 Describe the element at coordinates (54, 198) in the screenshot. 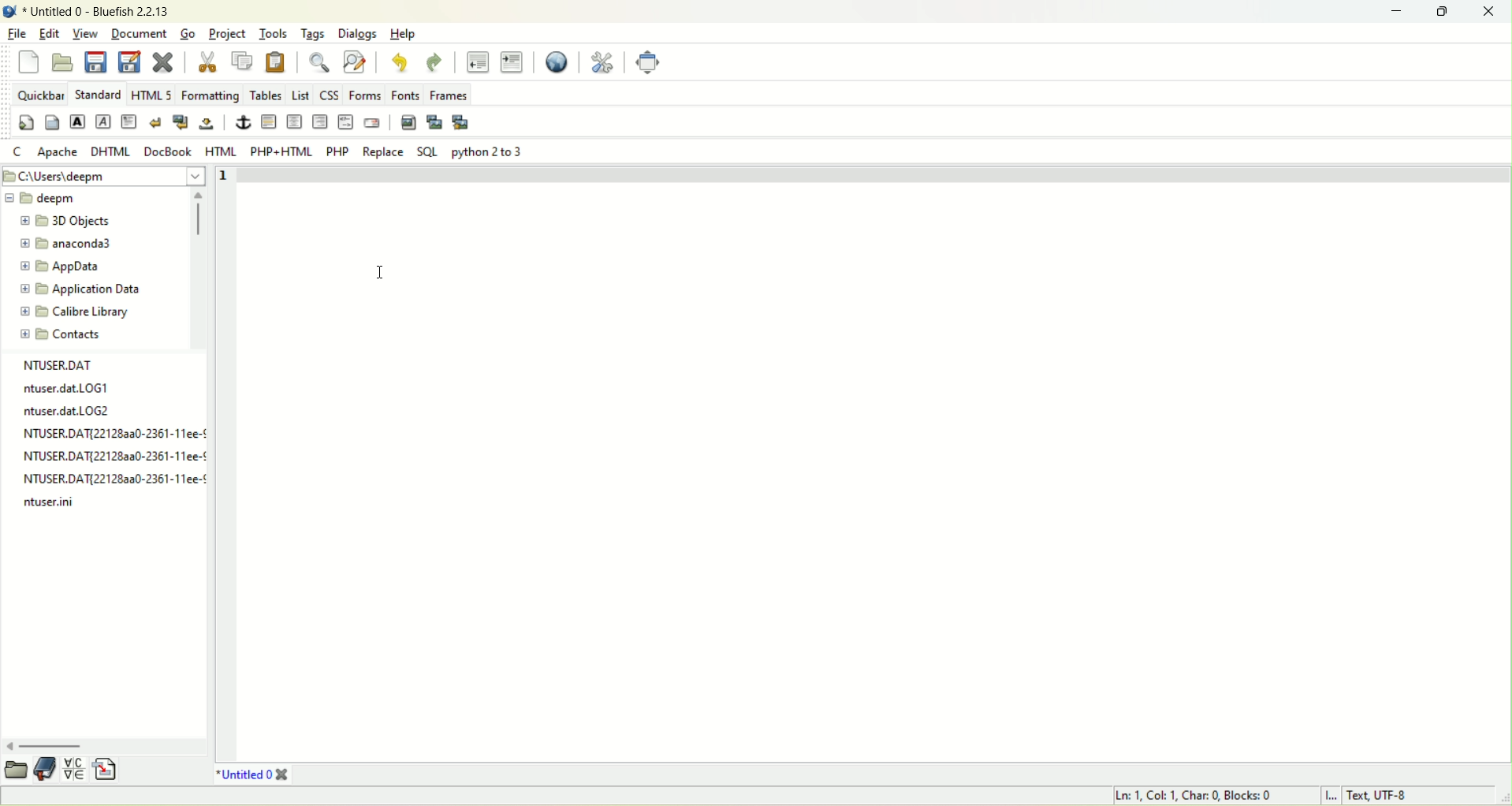

I see `folder name` at that location.